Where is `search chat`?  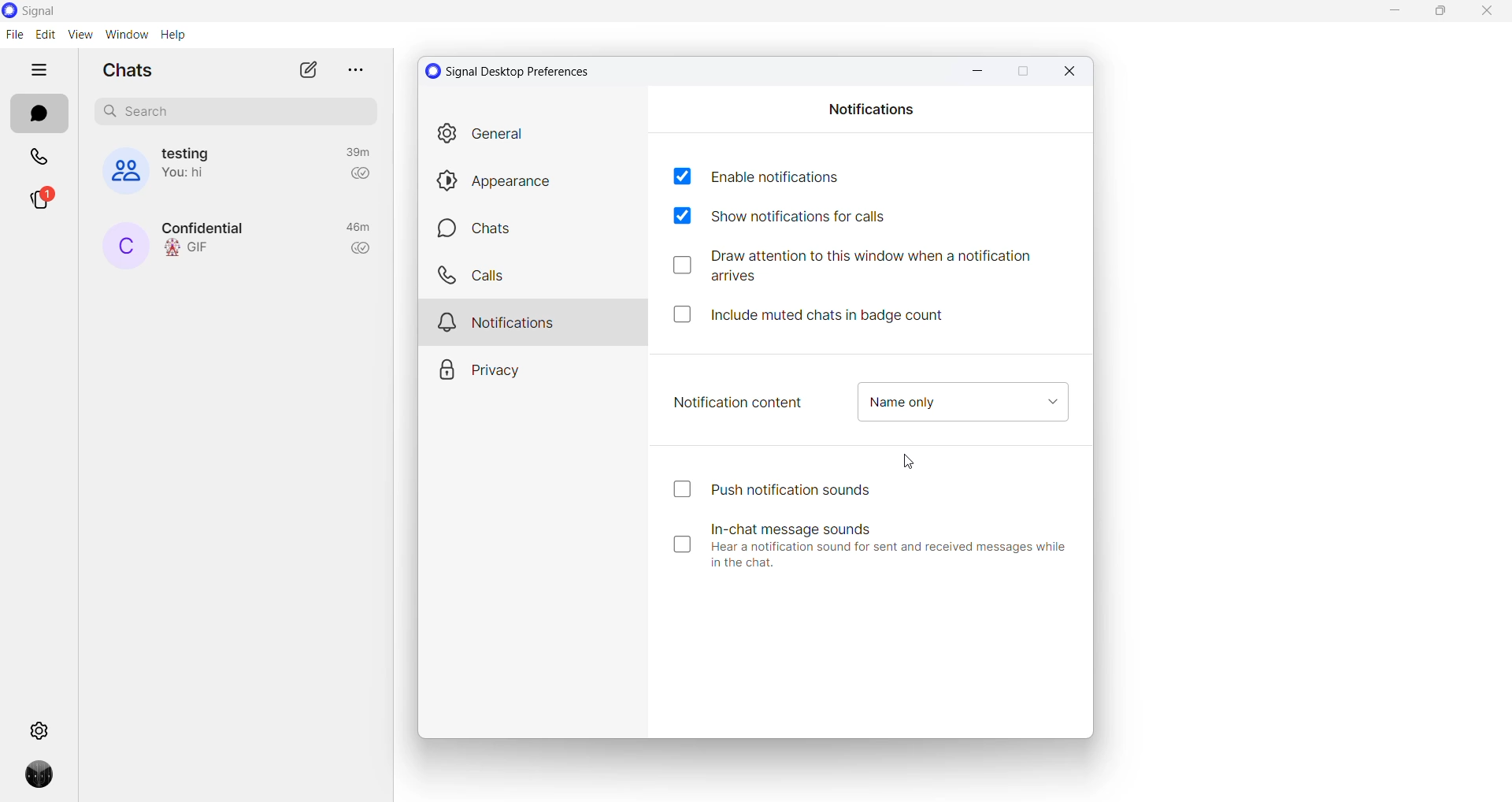
search chat is located at coordinates (235, 112).